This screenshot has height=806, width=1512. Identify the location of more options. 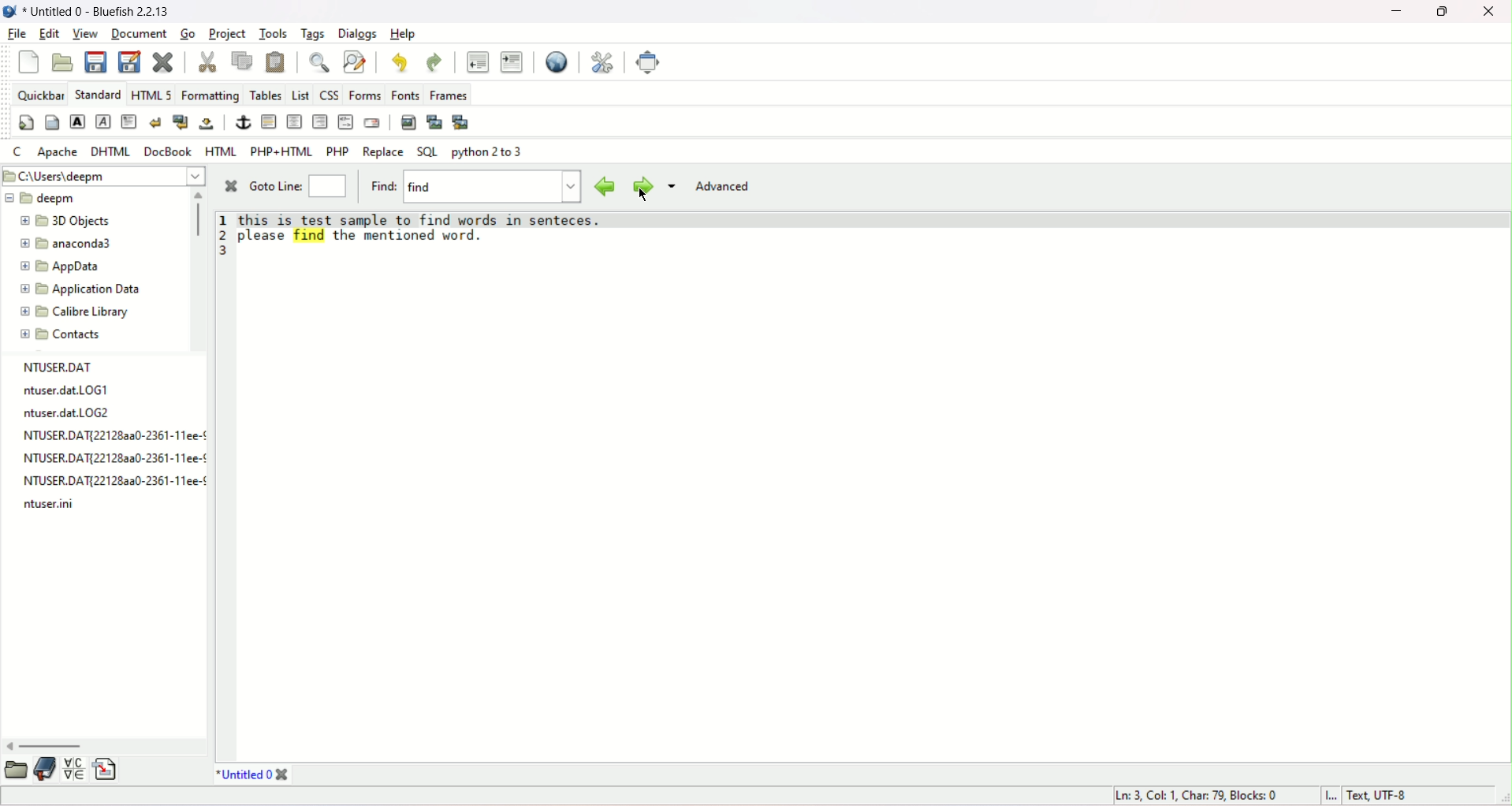
(672, 188).